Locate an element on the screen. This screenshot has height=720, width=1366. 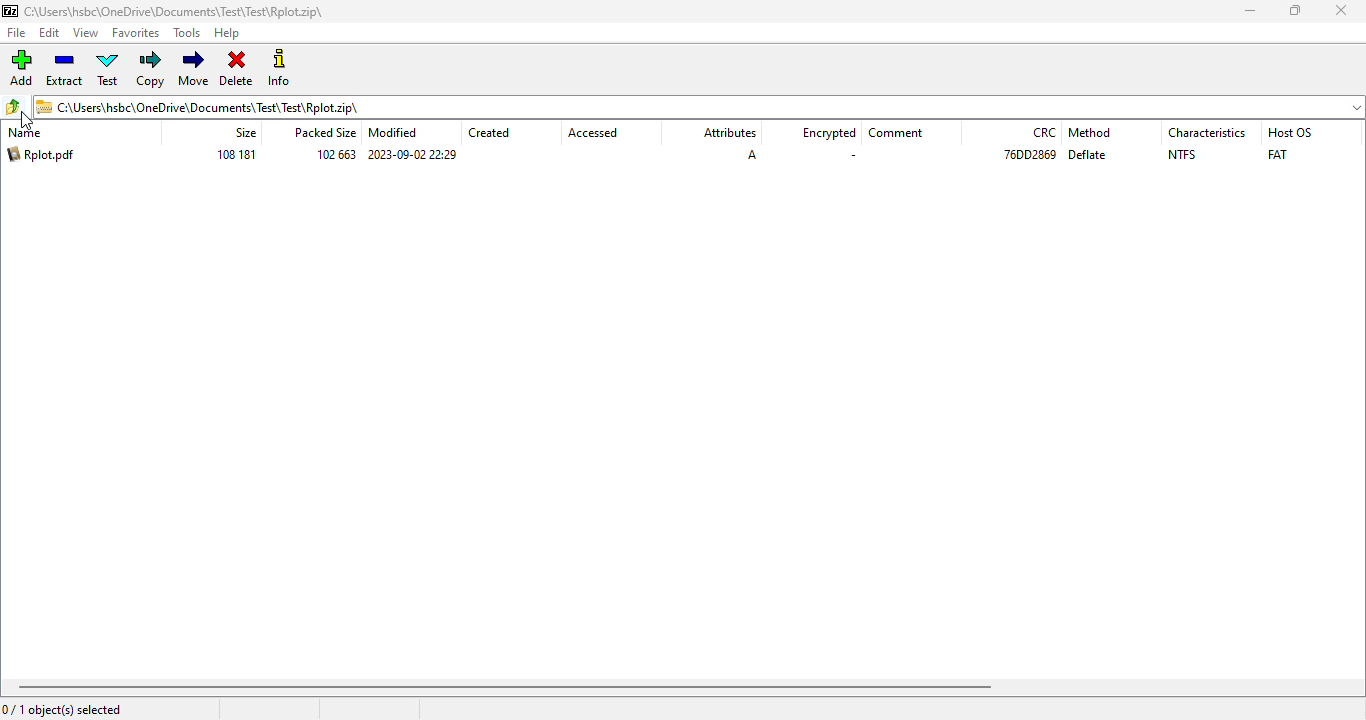
attributes is located at coordinates (730, 133).